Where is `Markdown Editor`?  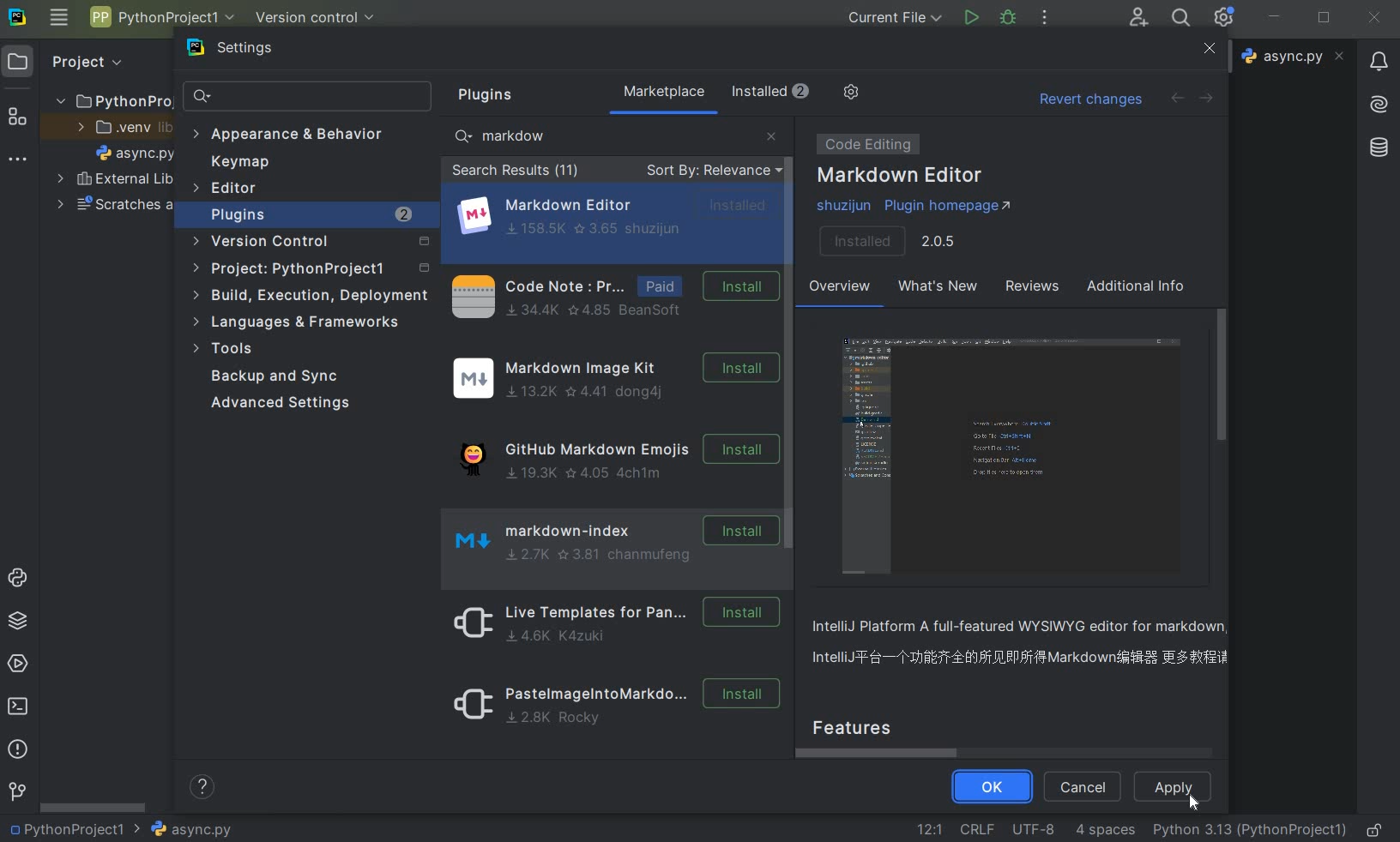
Markdown Editor is located at coordinates (902, 177).